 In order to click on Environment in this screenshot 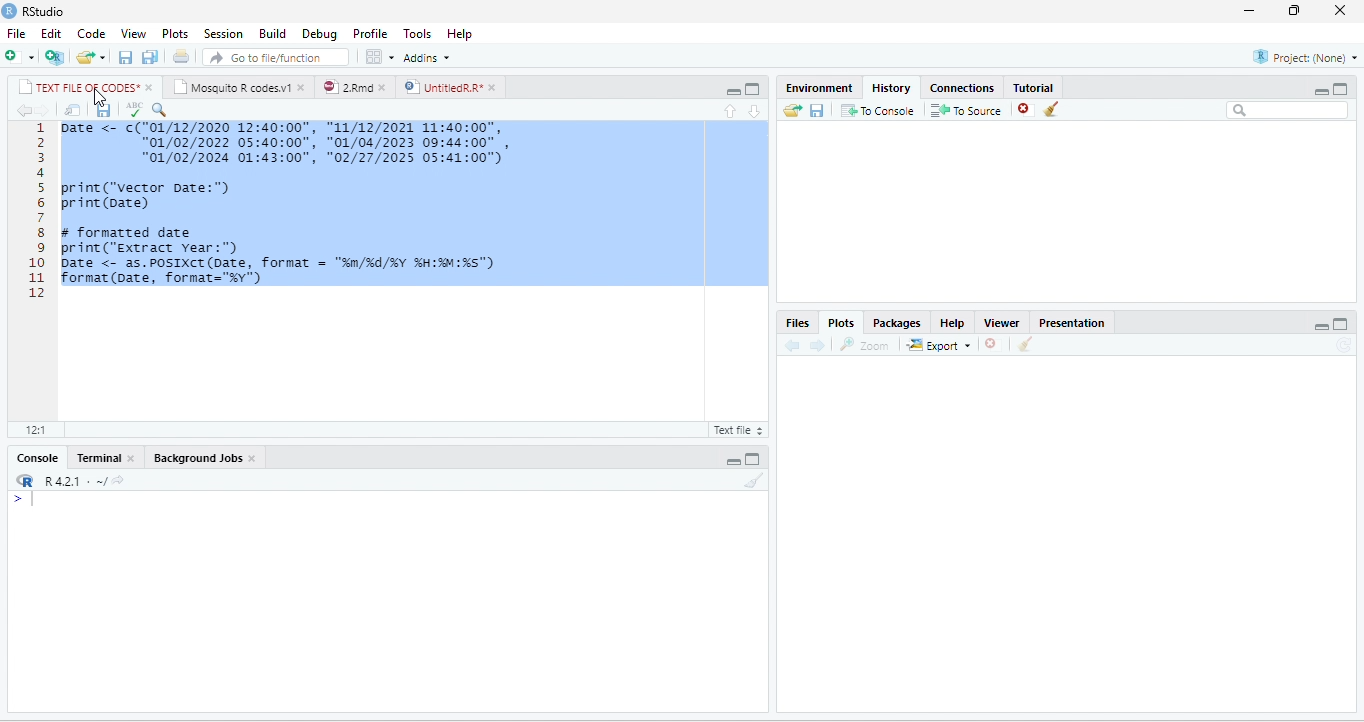, I will do `click(820, 88)`.